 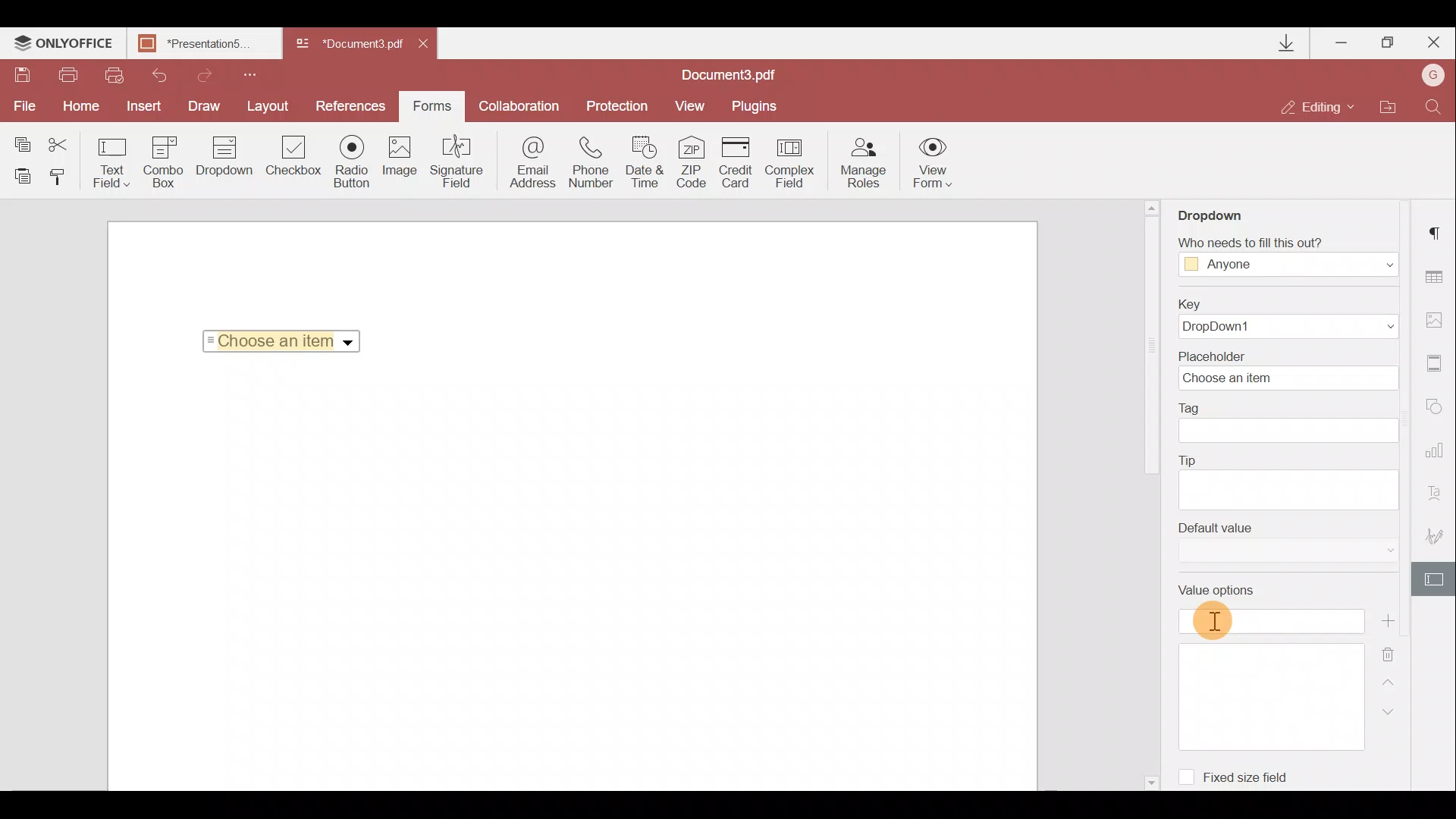 What do you see at coordinates (1438, 228) in the screenshot?
I see `Paragraph settings` at bounding box center [1438, 228].